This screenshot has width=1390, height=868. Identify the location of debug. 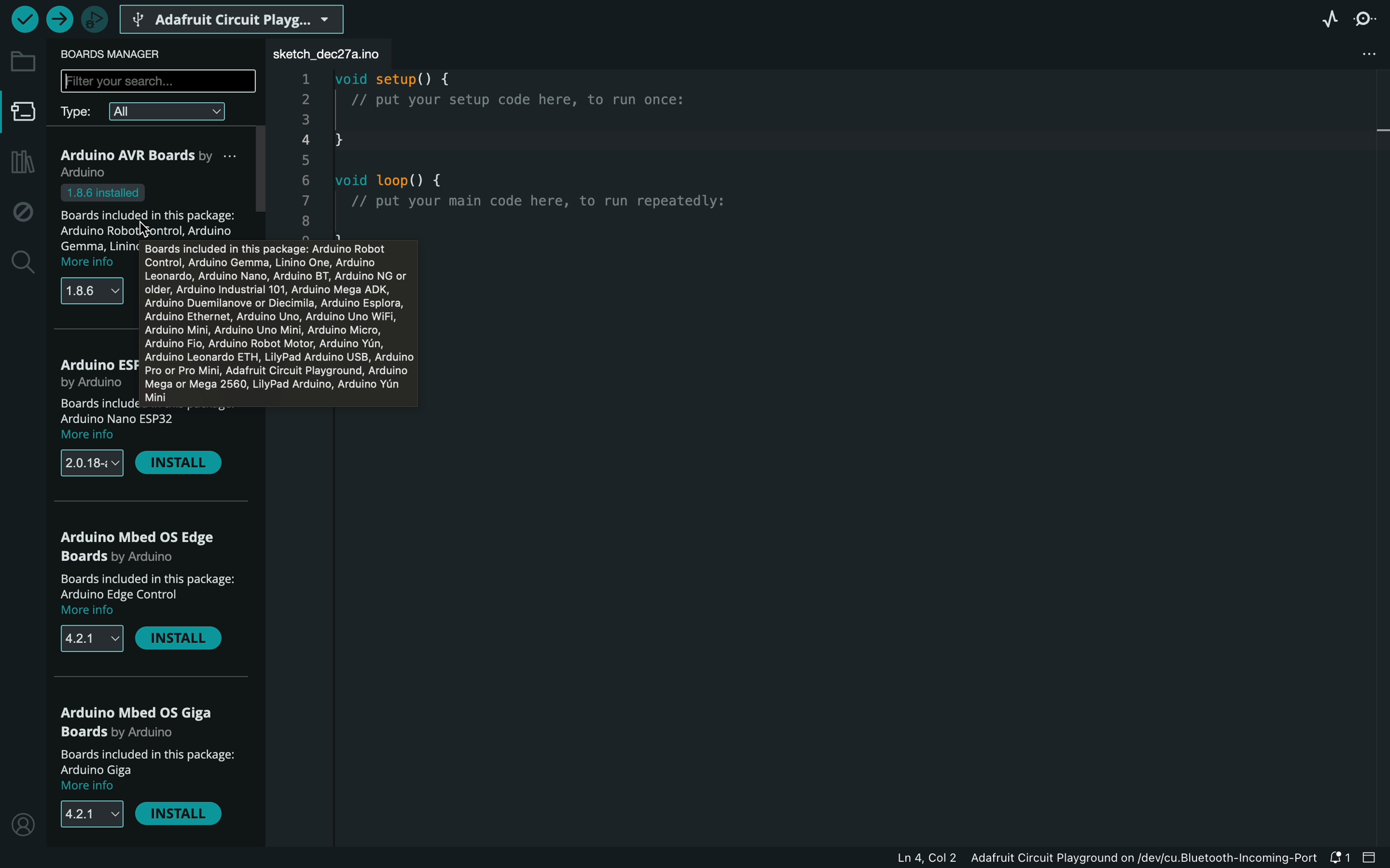
(22, 212).